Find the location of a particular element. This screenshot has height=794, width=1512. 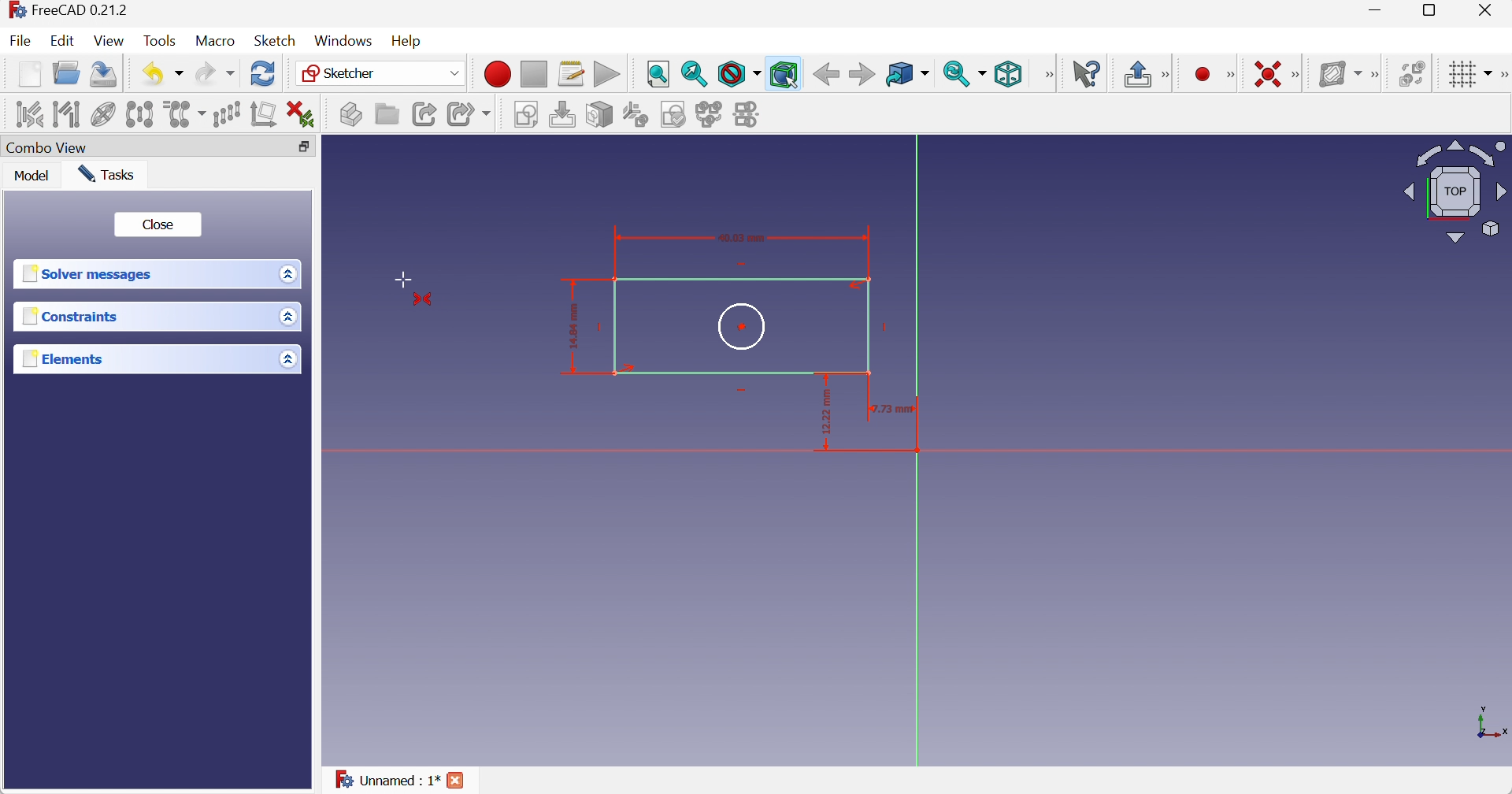

Close is located at coordinates (1486, 11).